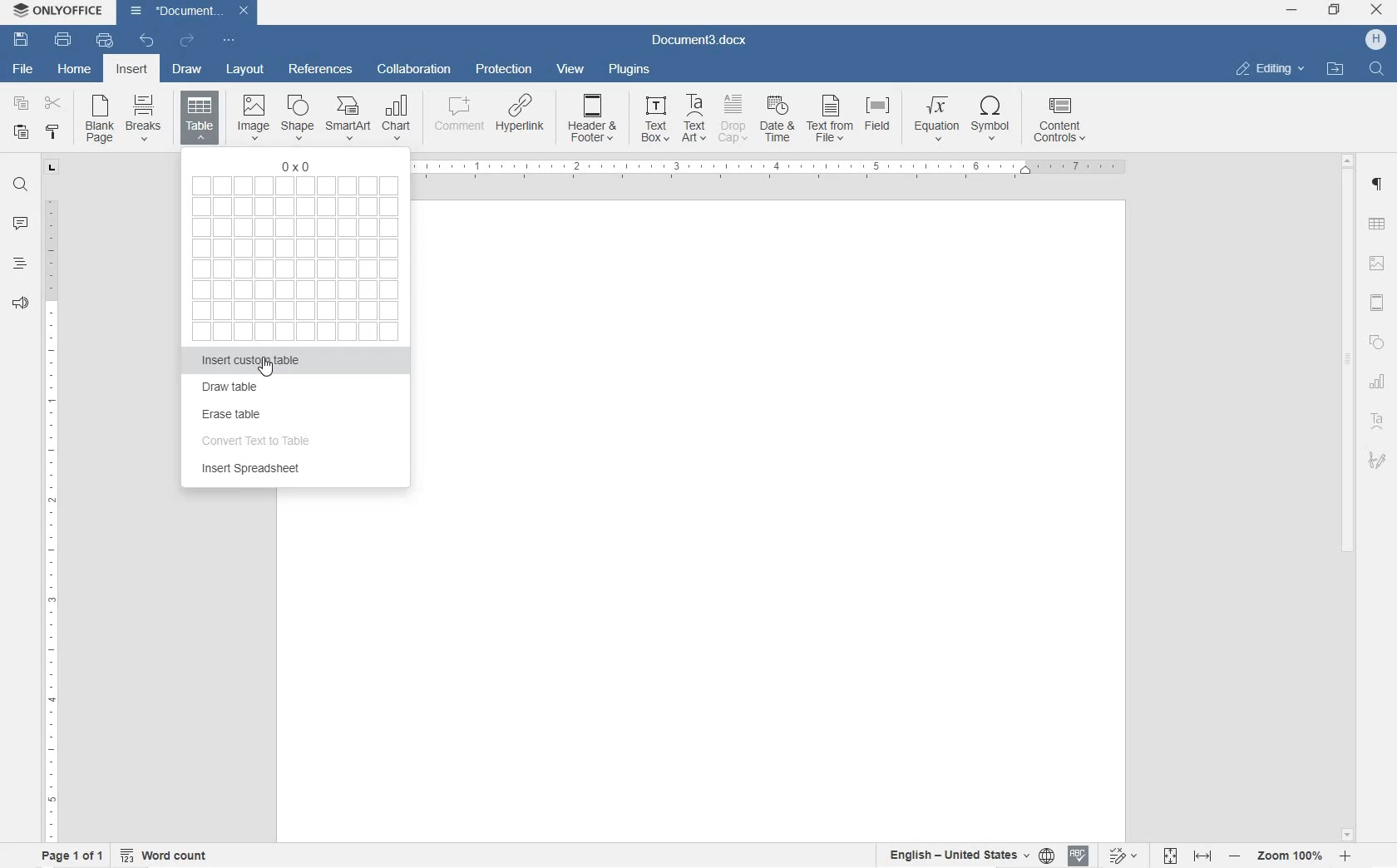 The image size is (1397, 868). Describe the element at coordinates (1346, 496) in the screenshot. I see `SCROLLBAR` at that location.